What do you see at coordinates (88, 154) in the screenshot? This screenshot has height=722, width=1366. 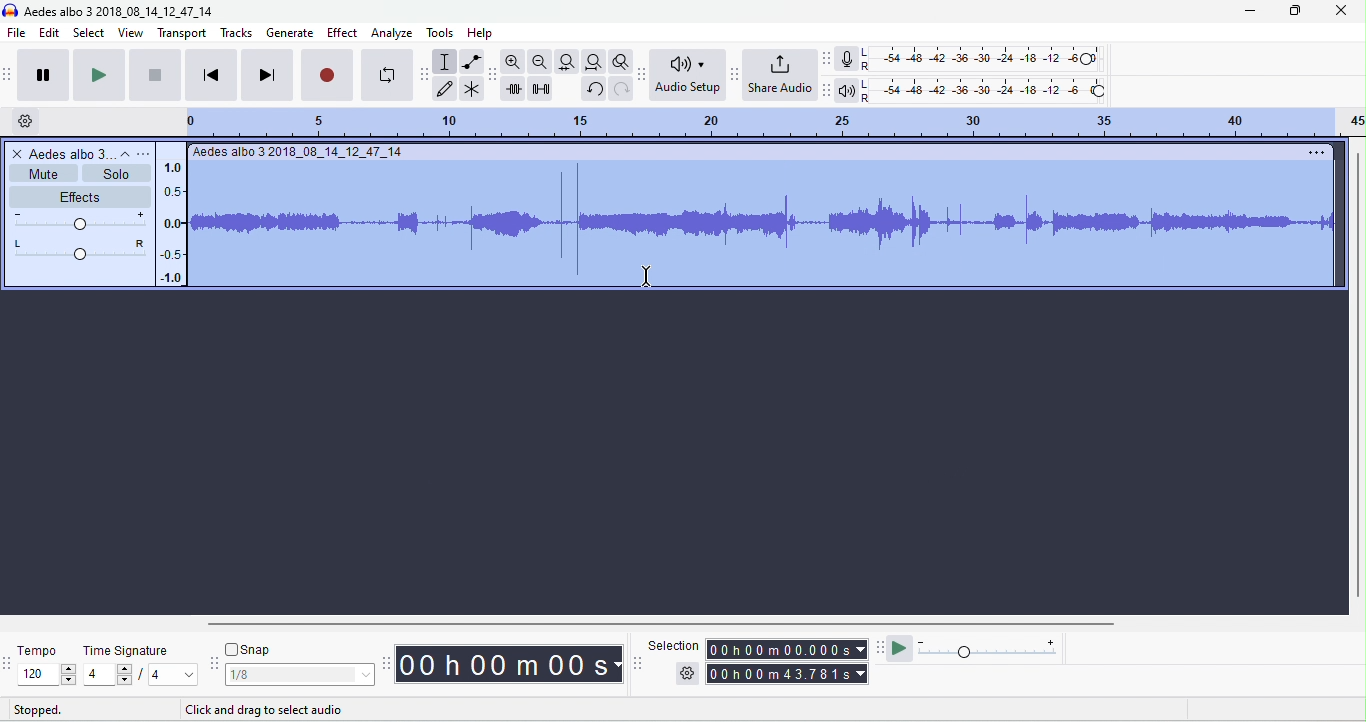 I see `` at bounding box center [88, 154].